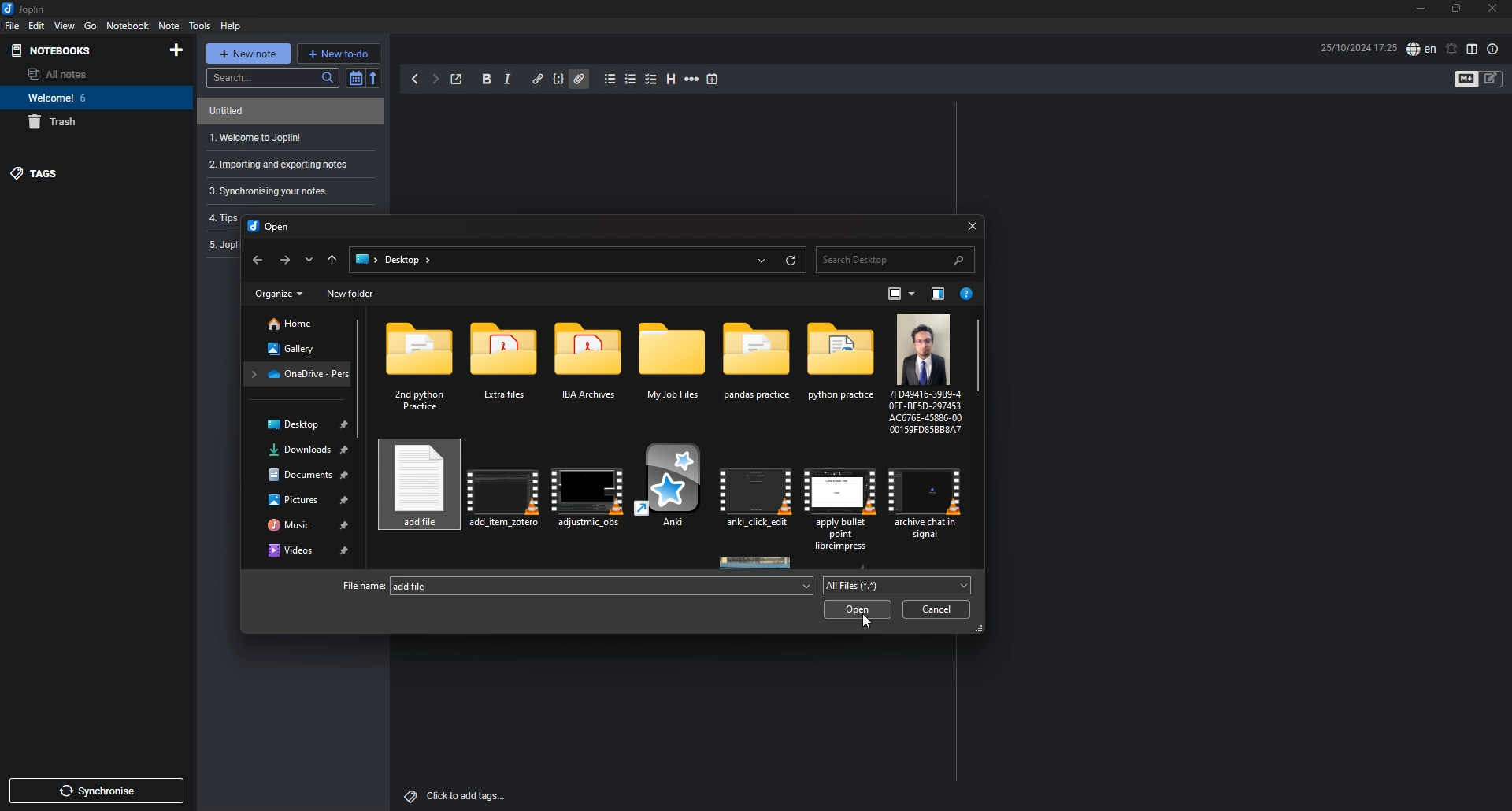  What do you see at coordinates (1421, 49) in the screenshot?
I see `spell check` at bounding box center [1421, 49].